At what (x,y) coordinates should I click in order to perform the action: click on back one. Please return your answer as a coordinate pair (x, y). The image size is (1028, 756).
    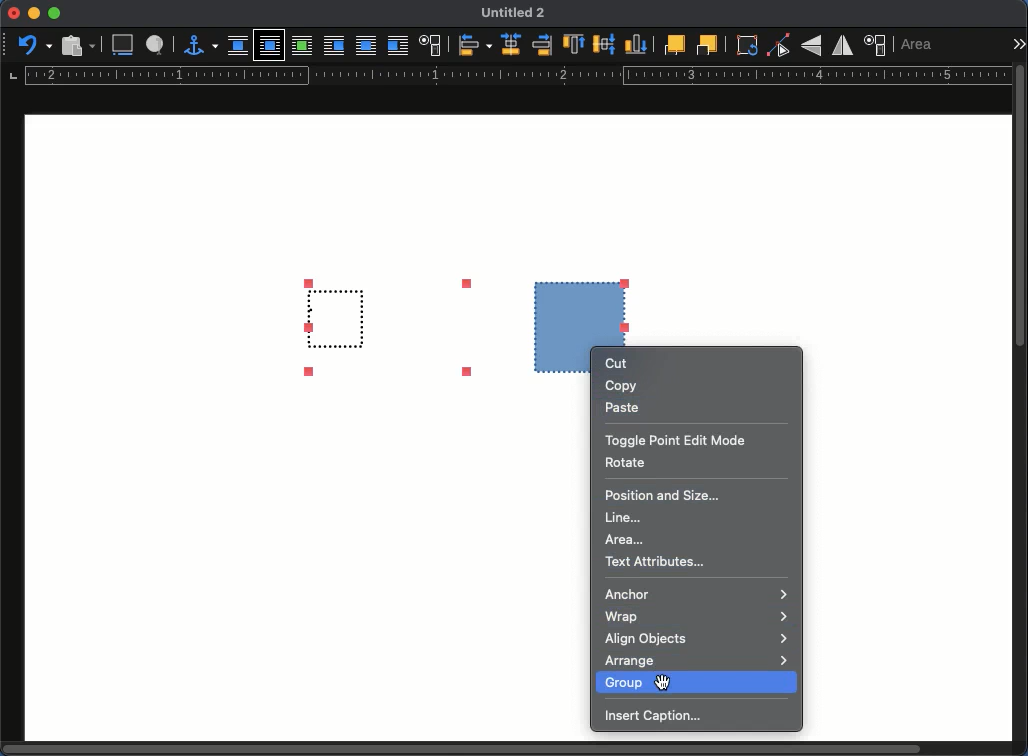
    Looking at the image, I should click on (707, 46).